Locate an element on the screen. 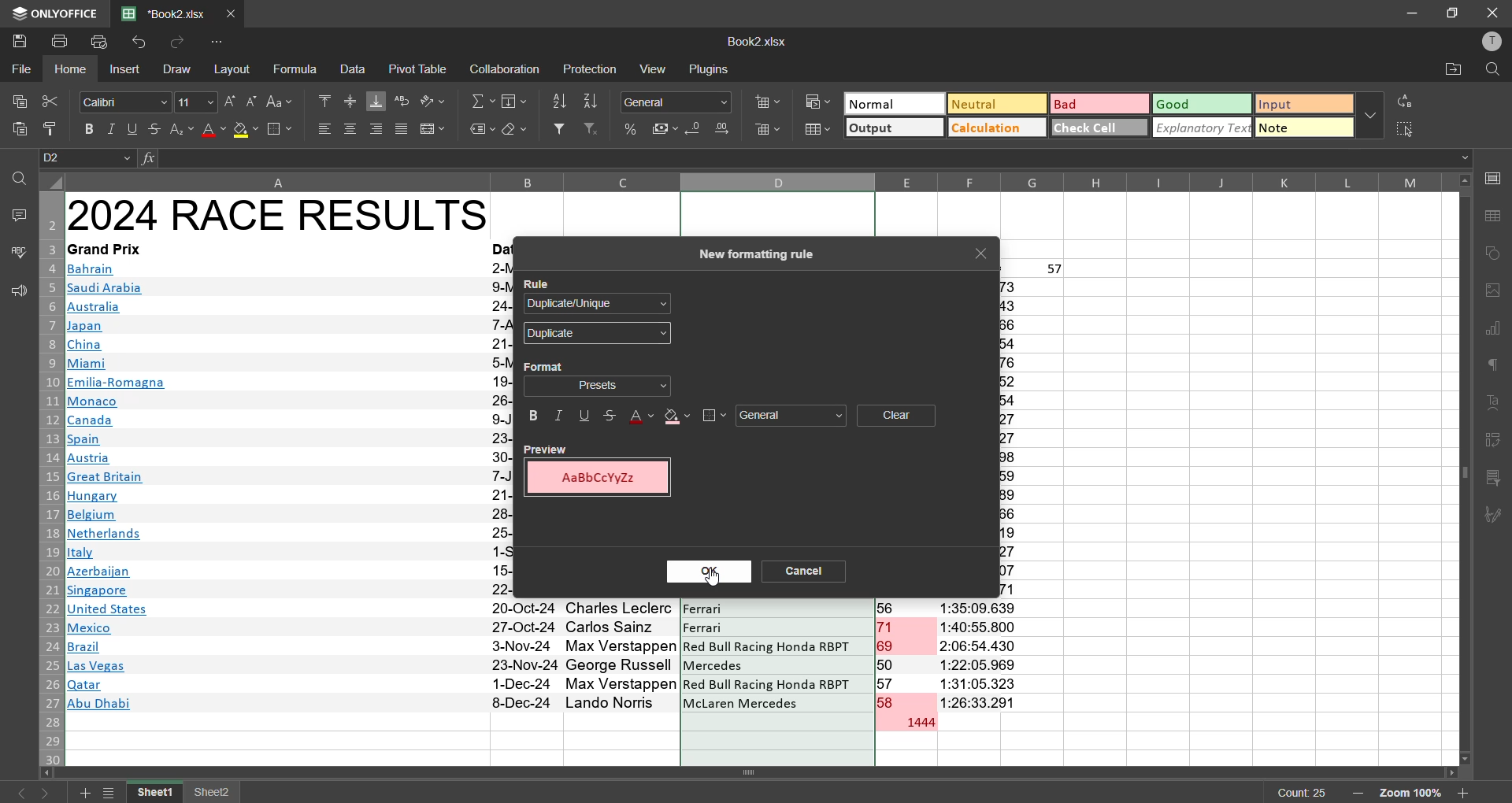 Image resolution: width=1512 pixels, height=803 pixels. note is located at coordinates (1304, 129).